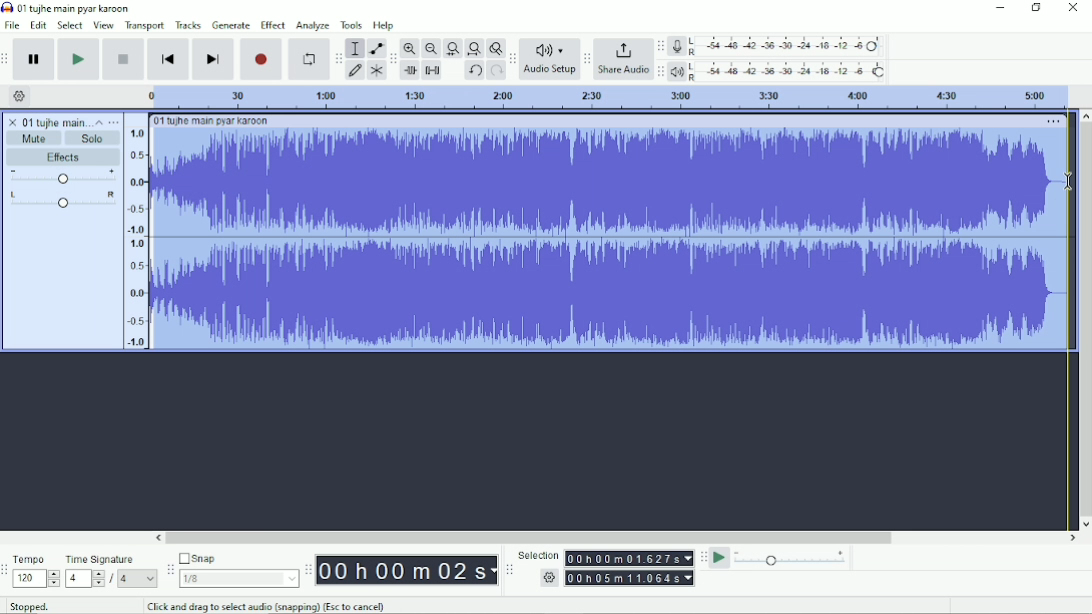 This screenshot has height=614, width=1092. What do you see at coordinates (261, 59) in the screenshot?
I see `Record` at bounding box center [261, 59].